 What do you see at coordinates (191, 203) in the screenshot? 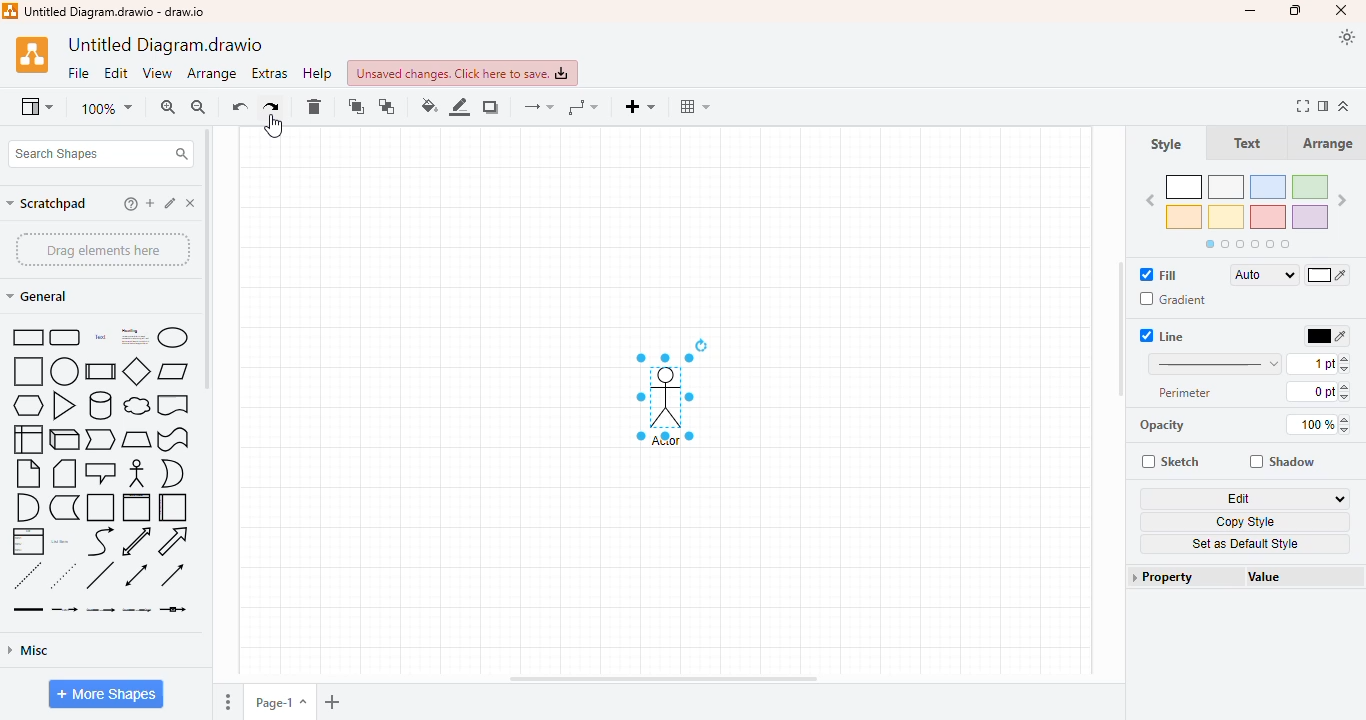
I see `delete` at bounding box center [191, 203].